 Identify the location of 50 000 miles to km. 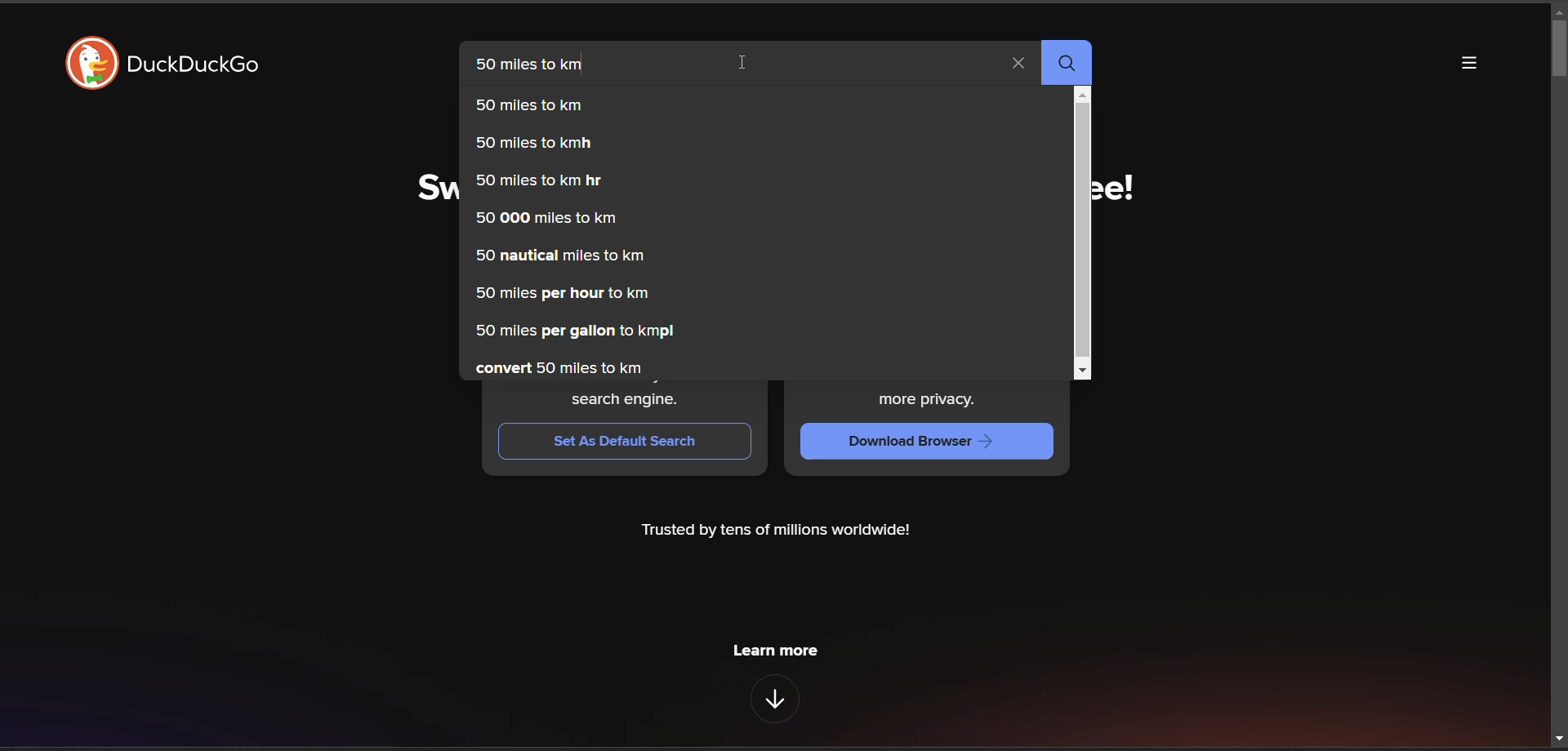
(543, 218).